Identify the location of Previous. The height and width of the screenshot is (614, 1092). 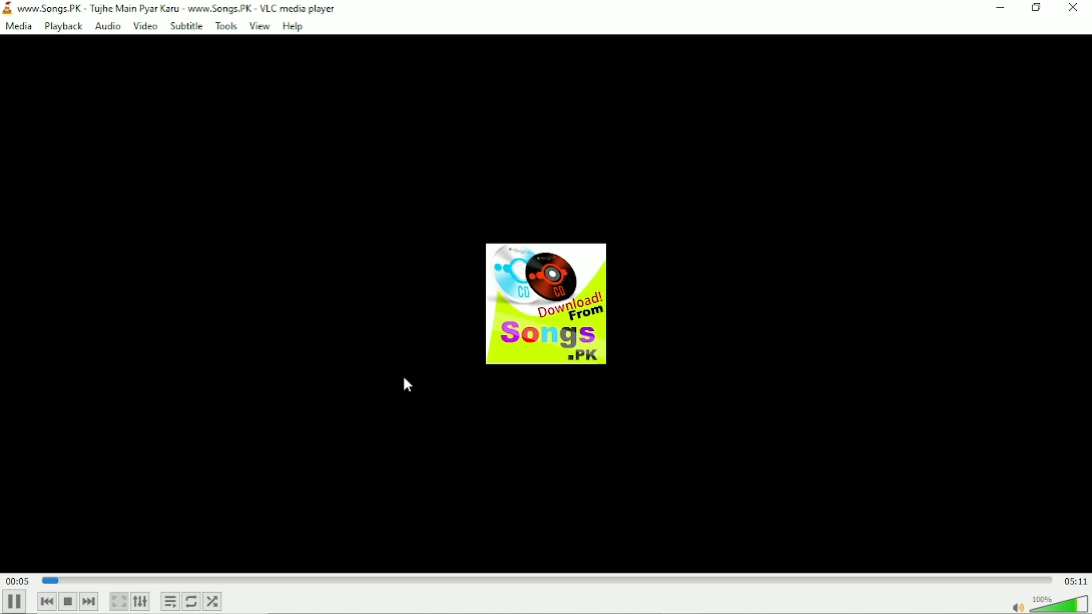
(44, 602).